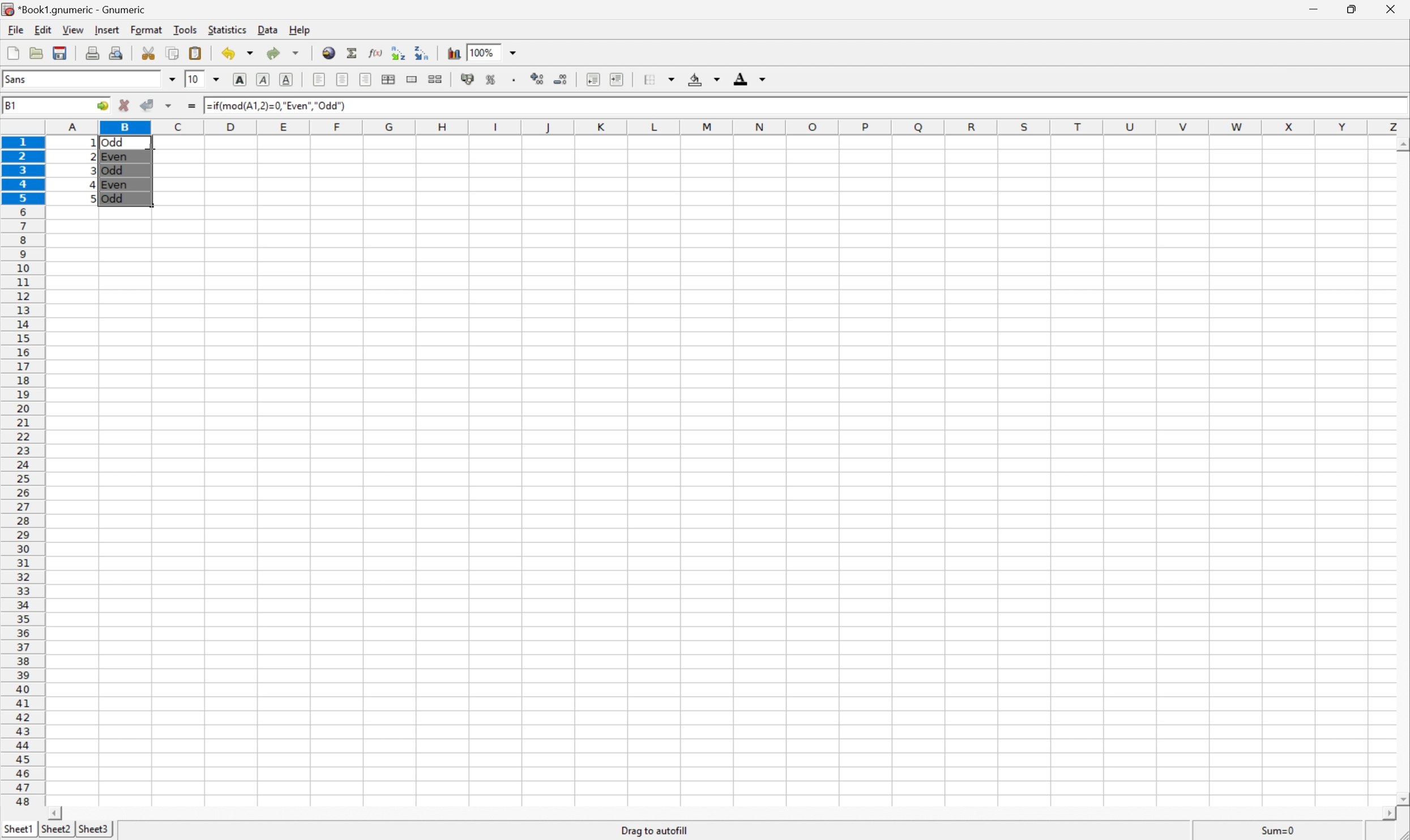 Image resolution: width=1410 pixels, height=840 pixels. What do you see at coordinates (95, 199) in the screenshot?
I see `5` at bounding box center [95, 199].